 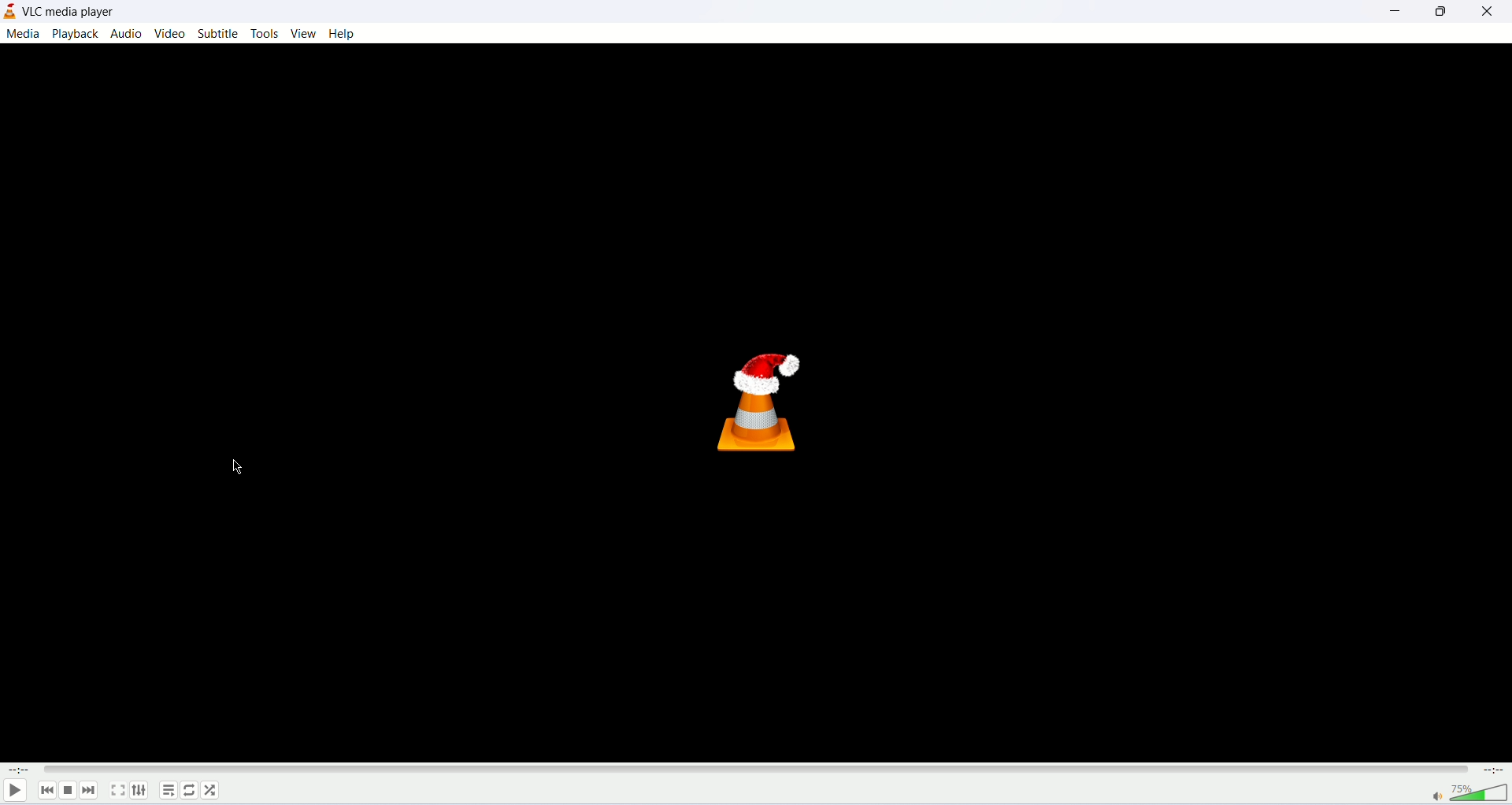 I want to click on elapsed time, so click(x=18, y=770).